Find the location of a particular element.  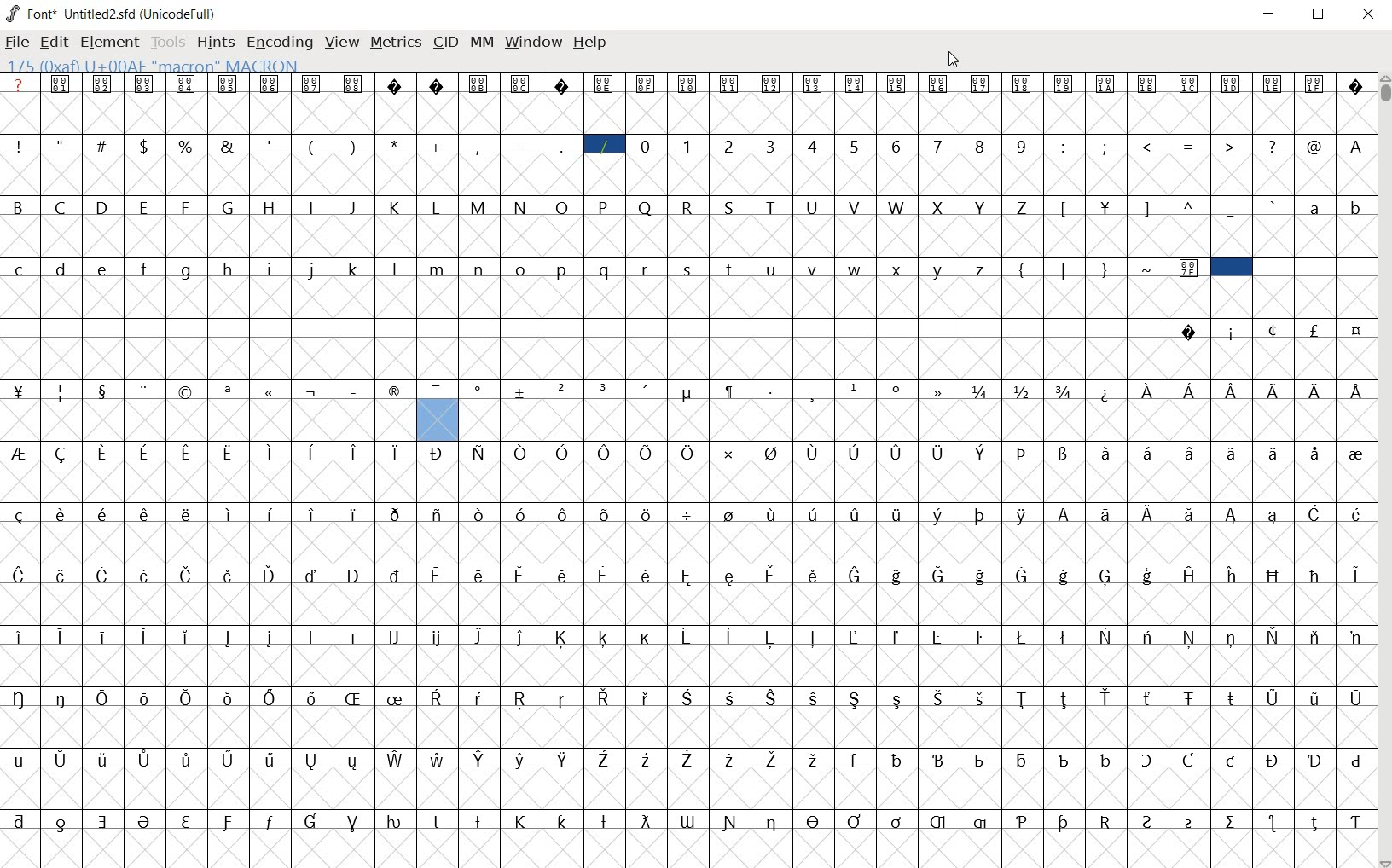

" is located at coordinates (62, 146).